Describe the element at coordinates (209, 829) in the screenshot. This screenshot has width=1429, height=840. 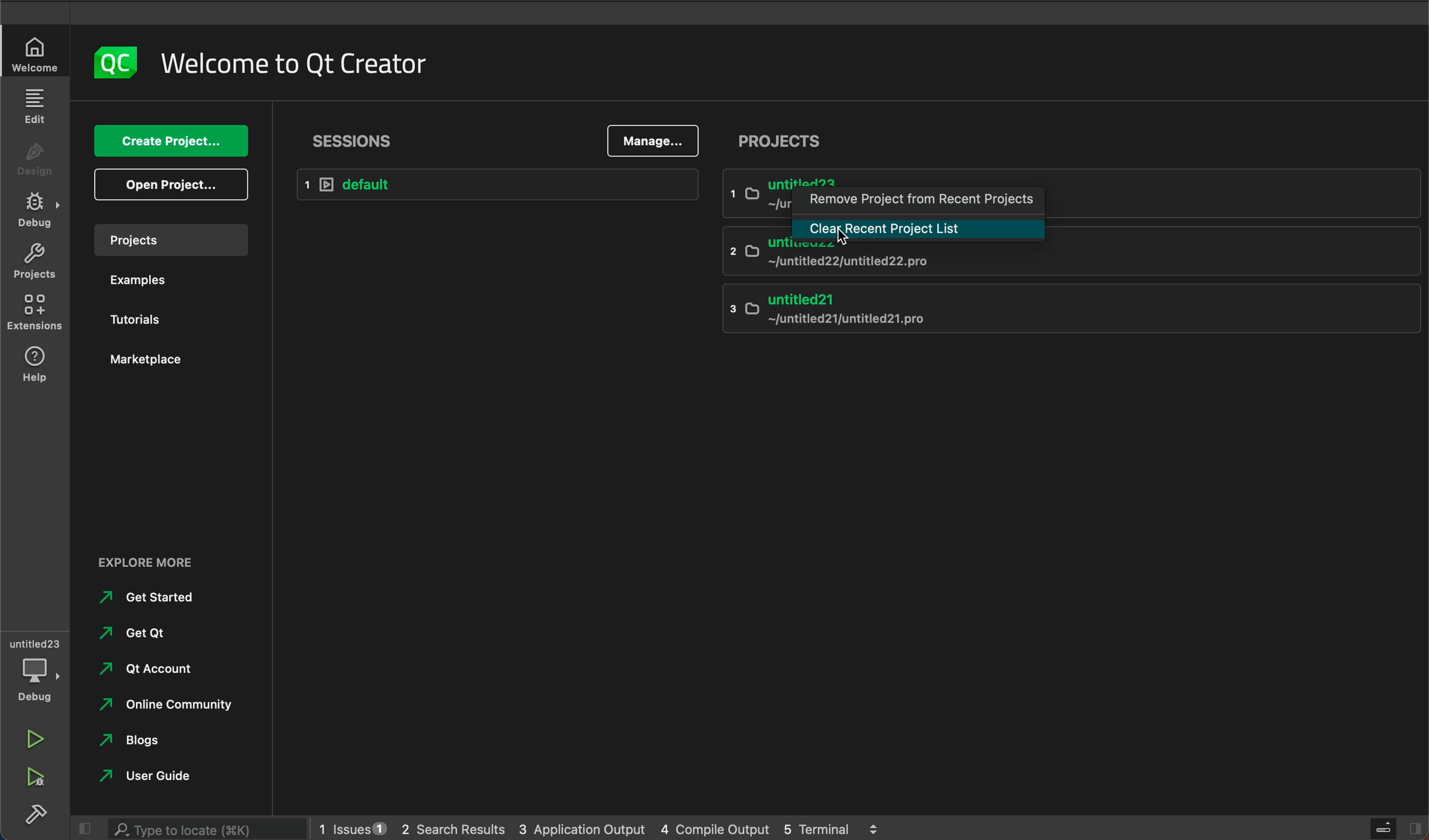
I see `search bar` at that location.